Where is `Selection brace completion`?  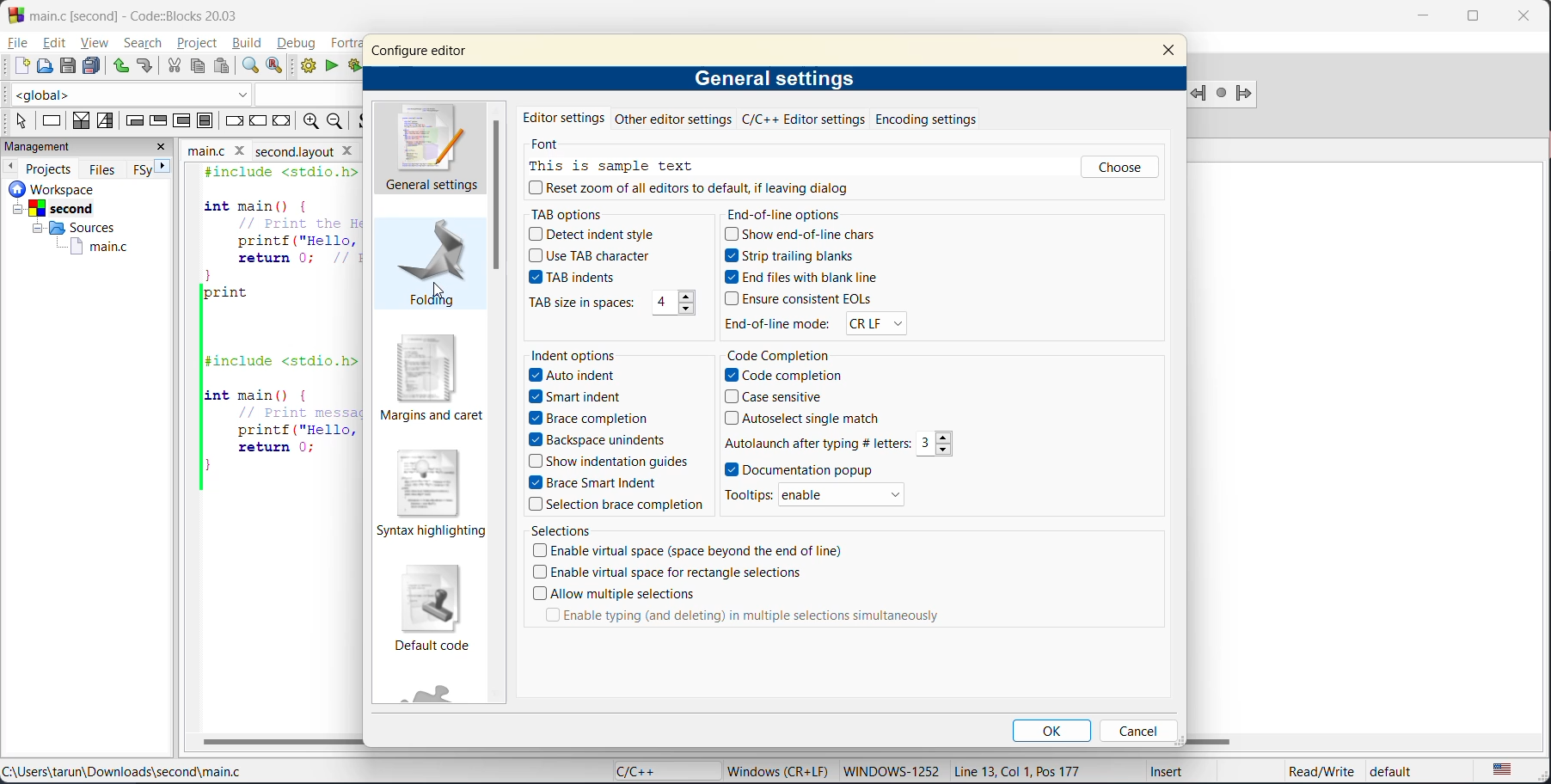 Selection brace completion is located at coordinates (618, 505).